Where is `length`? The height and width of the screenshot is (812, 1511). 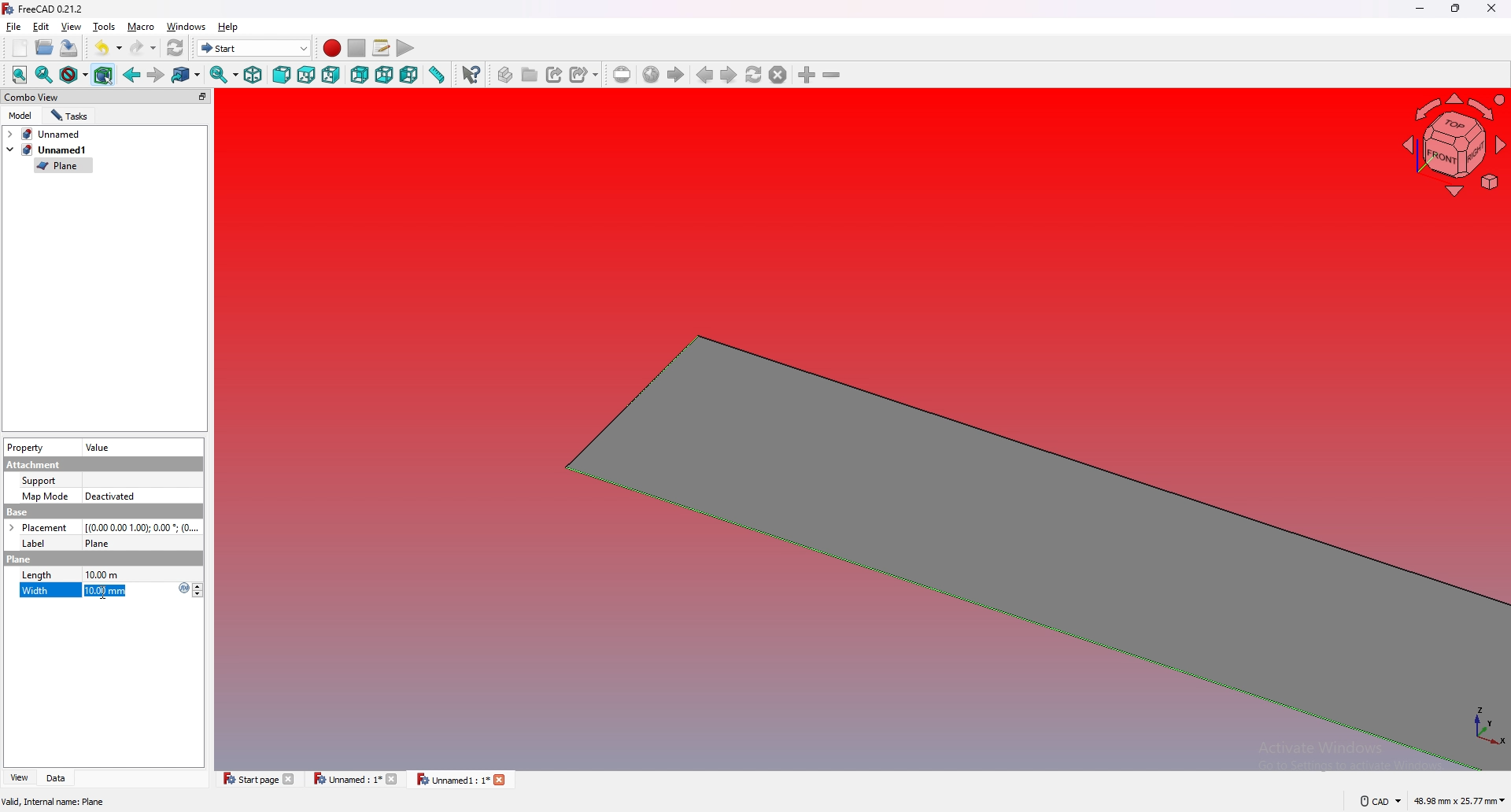
length is located at coordinates (37, 574).